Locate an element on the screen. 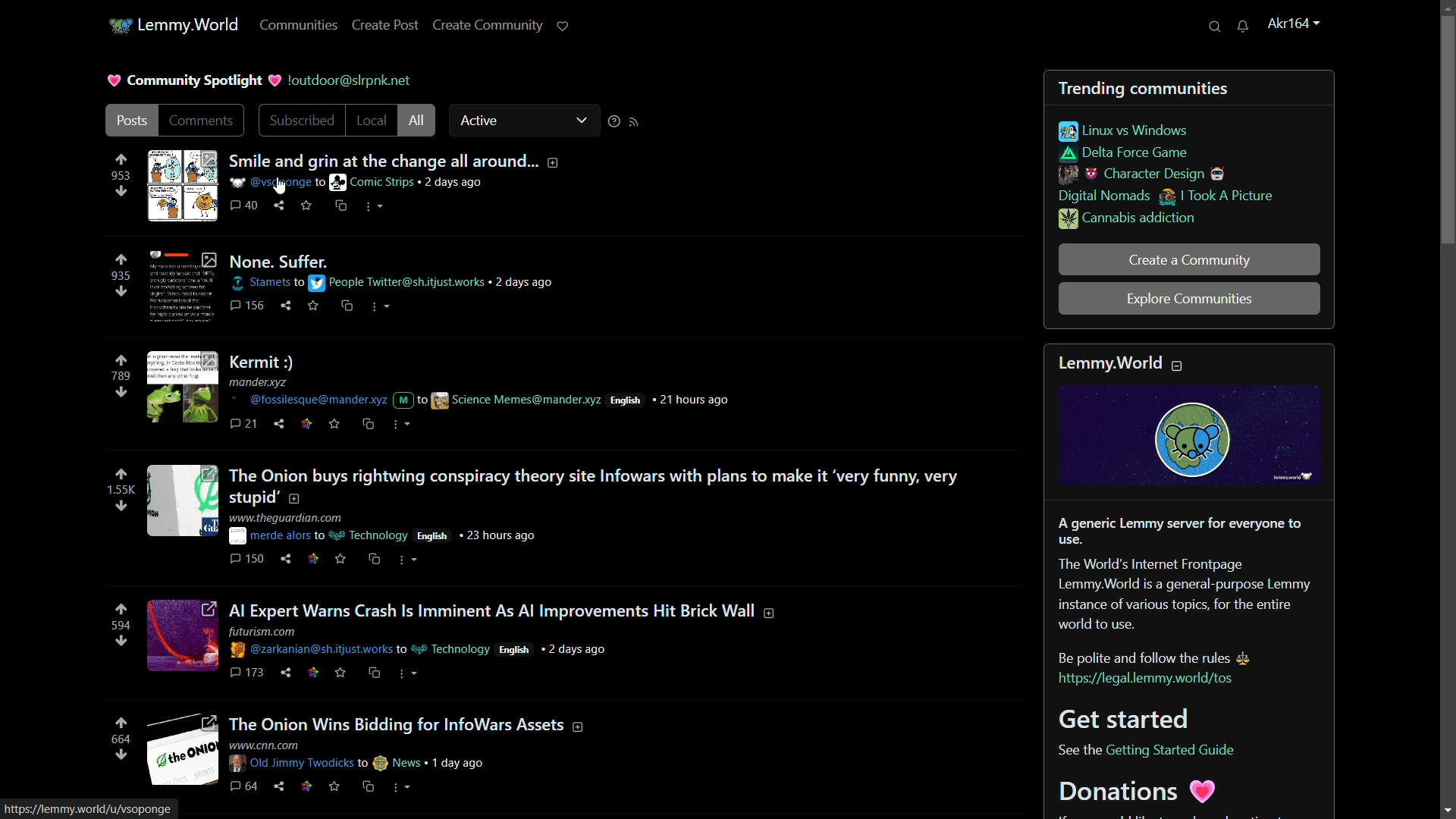 This screenshot has height=819, width=1456. link is located at coordinates (308, 424).